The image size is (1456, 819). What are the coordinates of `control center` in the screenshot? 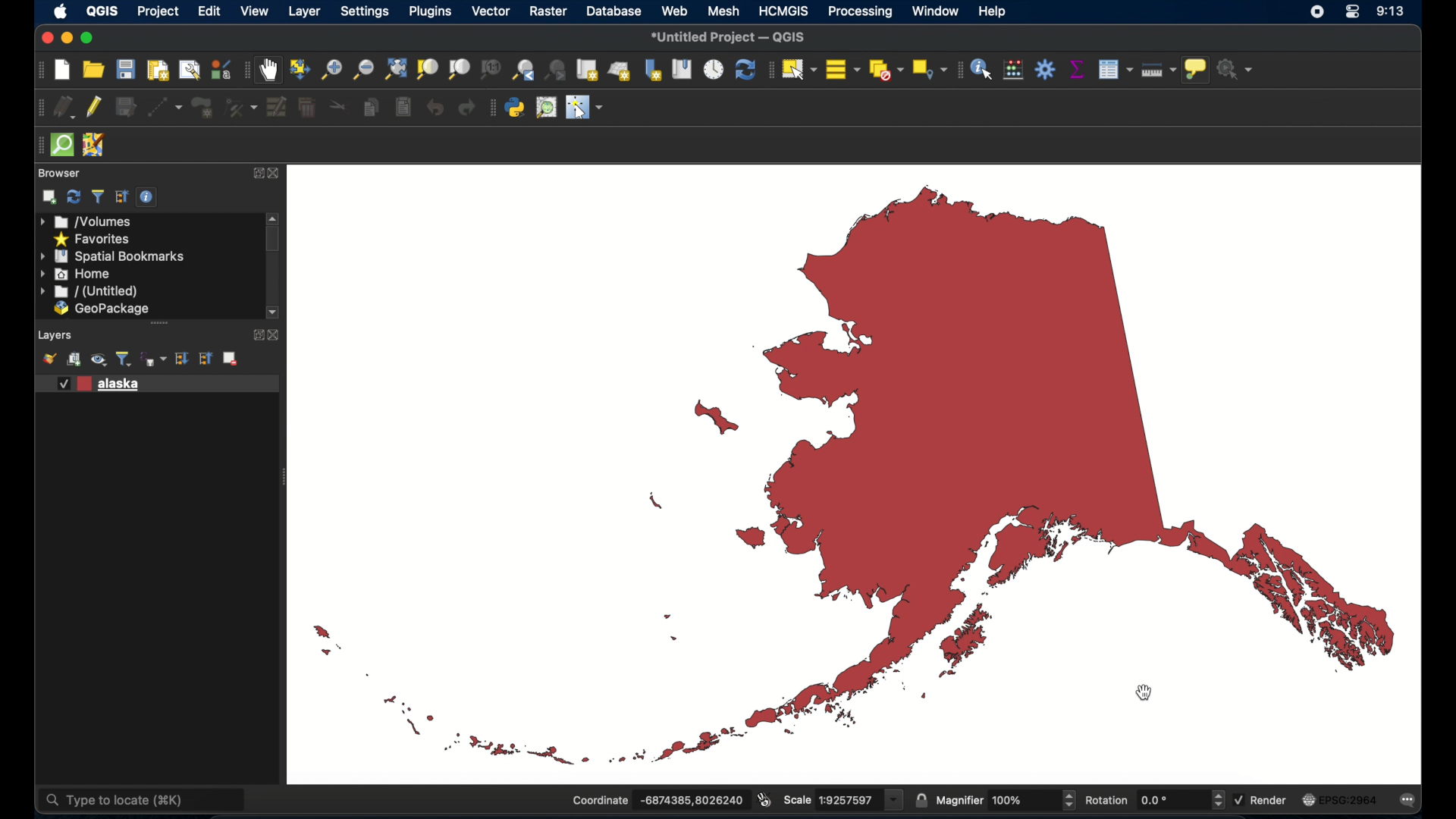 It's located at (1352, 14).